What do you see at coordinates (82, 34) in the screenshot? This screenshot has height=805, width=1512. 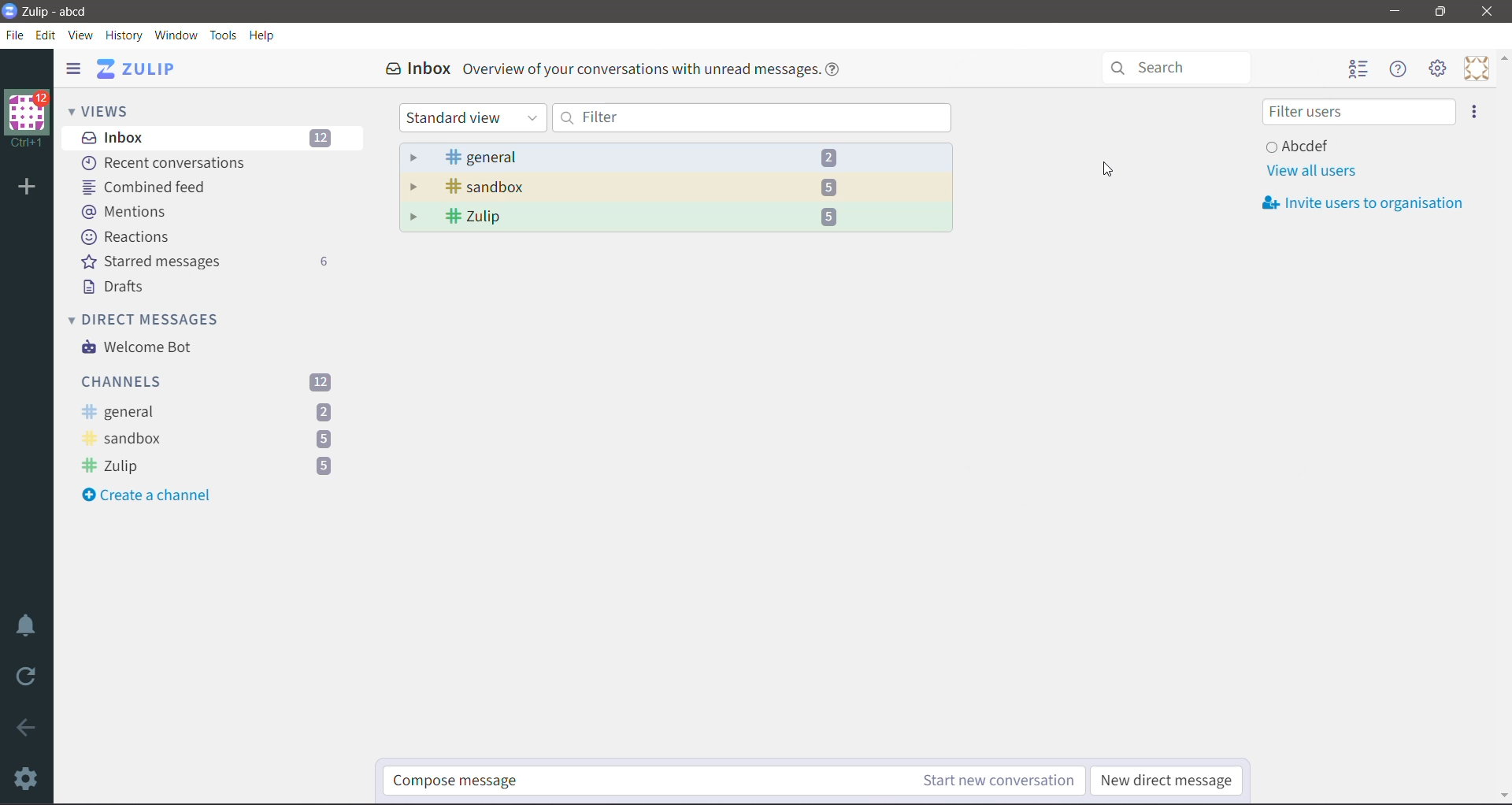 I see `View` at bounding box center [82, 34].